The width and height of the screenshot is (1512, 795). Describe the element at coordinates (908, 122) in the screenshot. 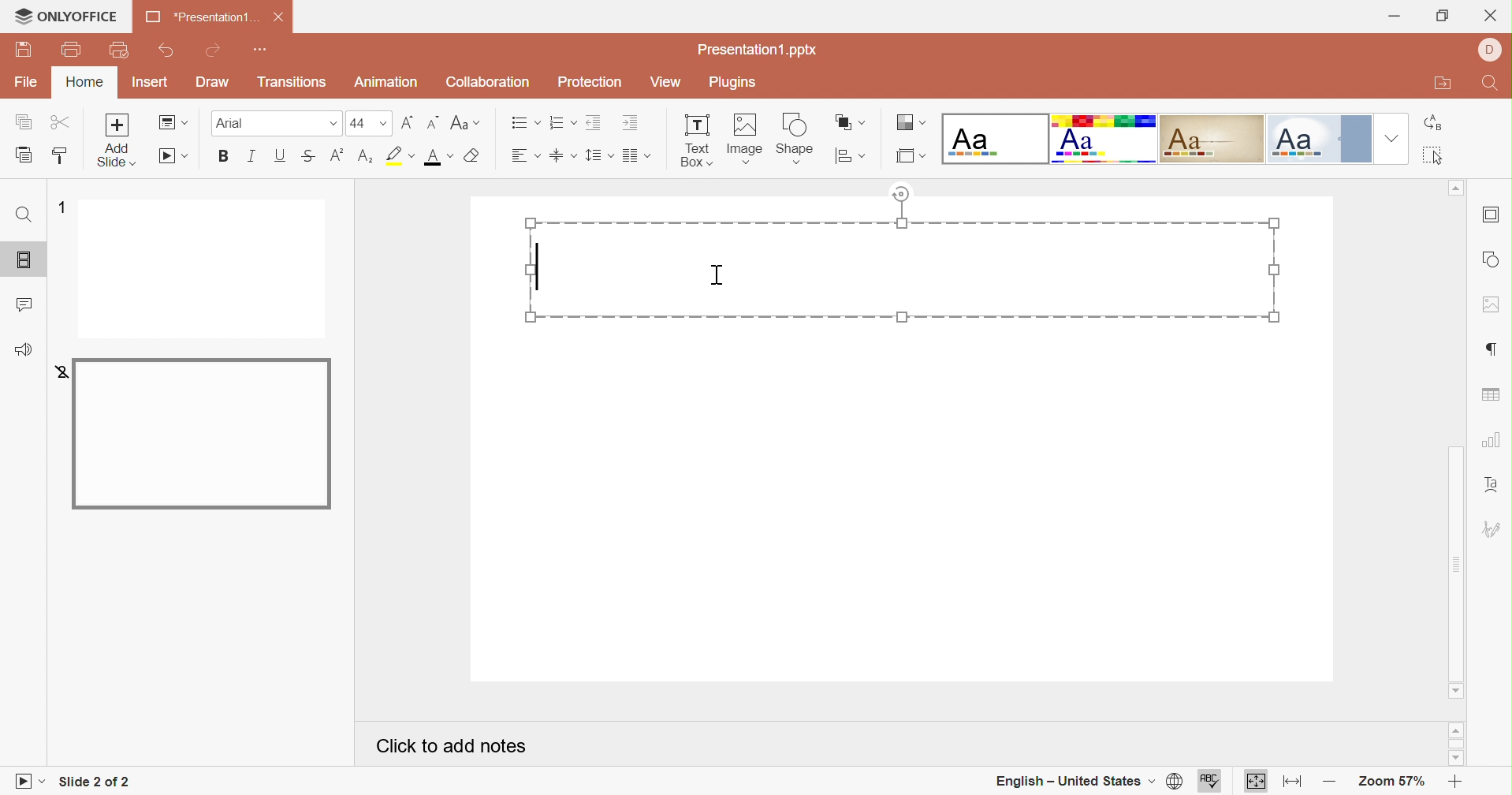

I see `Change color theme` at that location.